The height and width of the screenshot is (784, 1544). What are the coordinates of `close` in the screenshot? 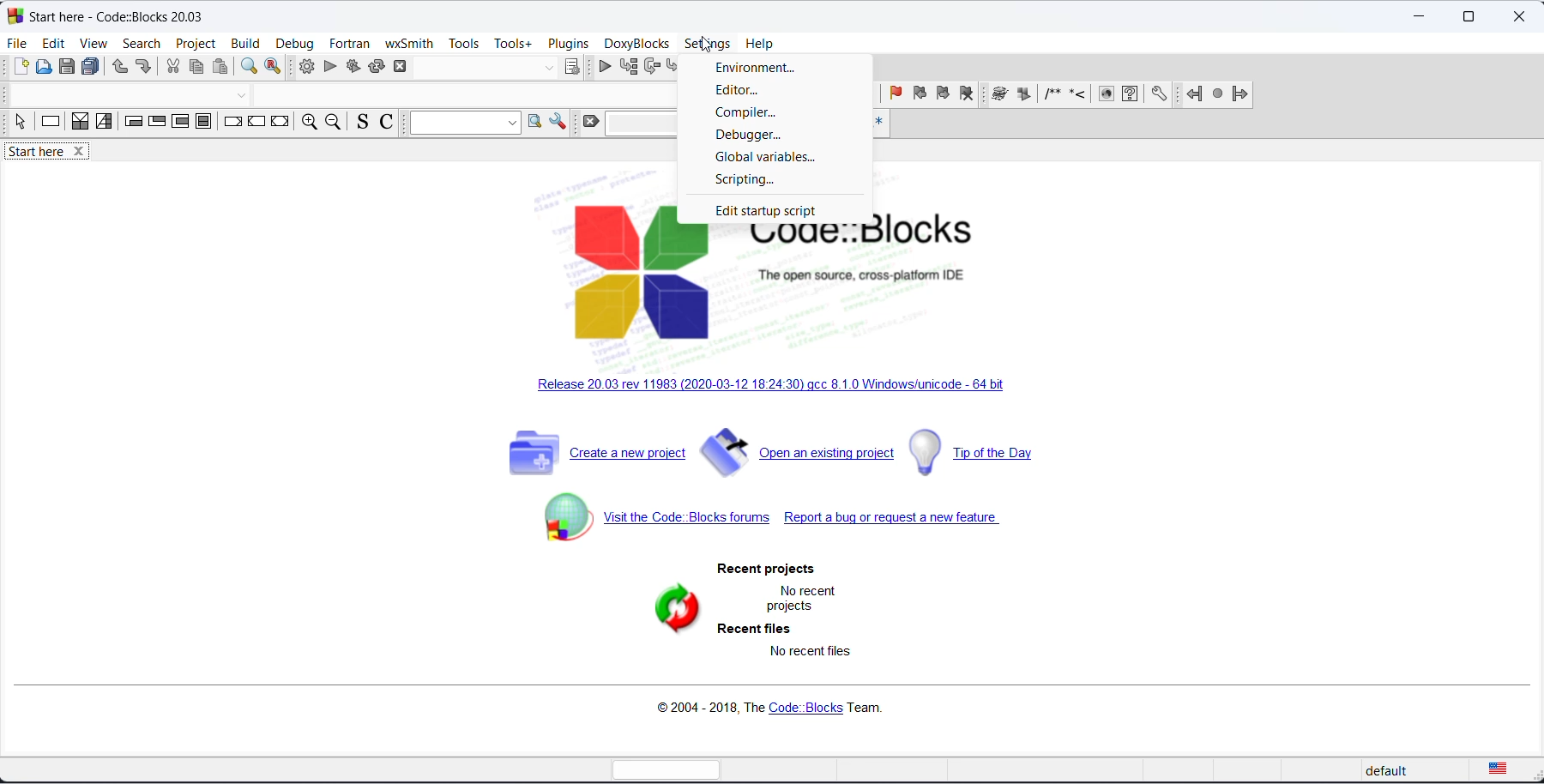 It's located at (1519, 17).